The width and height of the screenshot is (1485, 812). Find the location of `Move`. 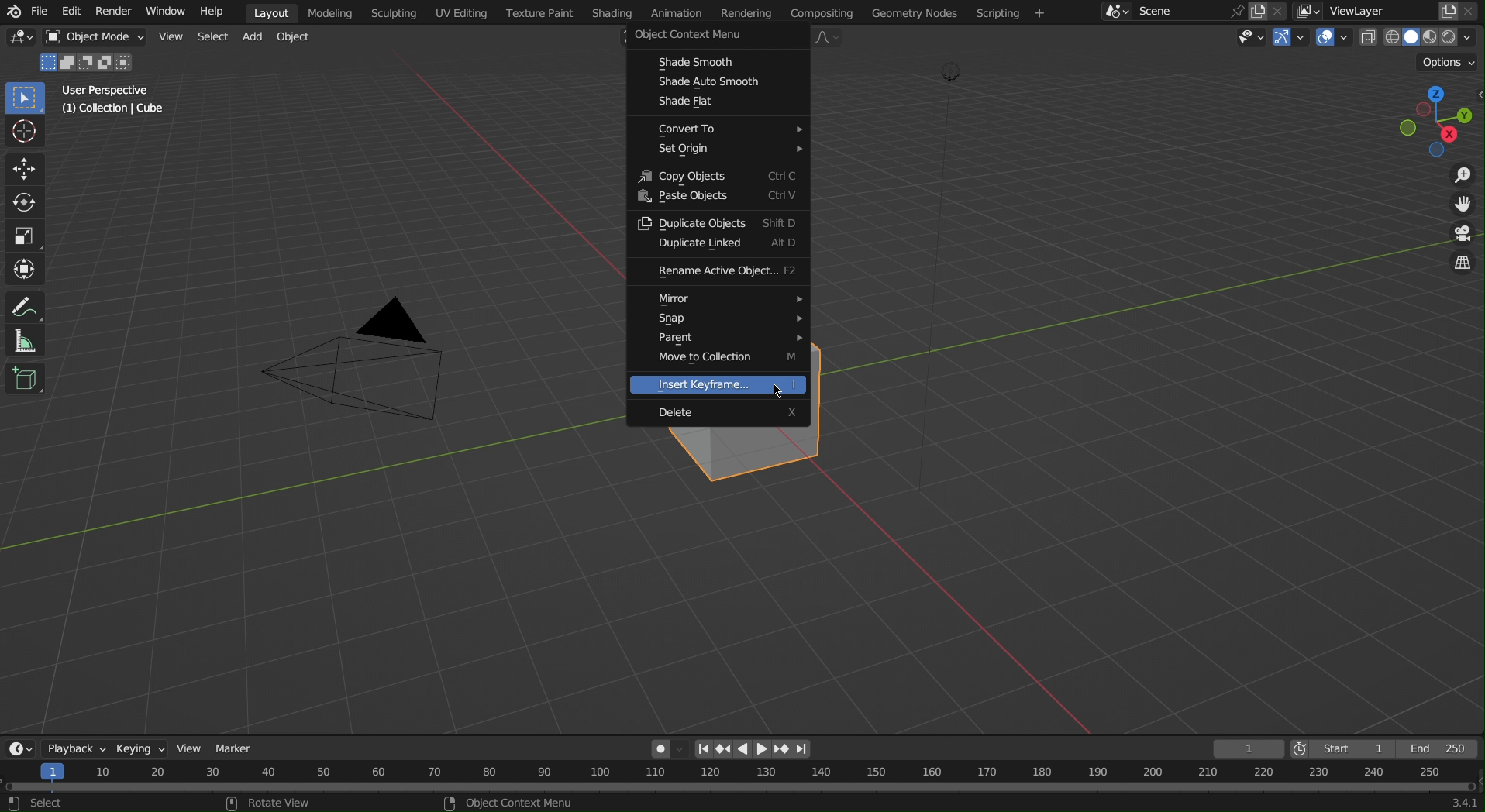

Move is located at coordinates (24, 170).